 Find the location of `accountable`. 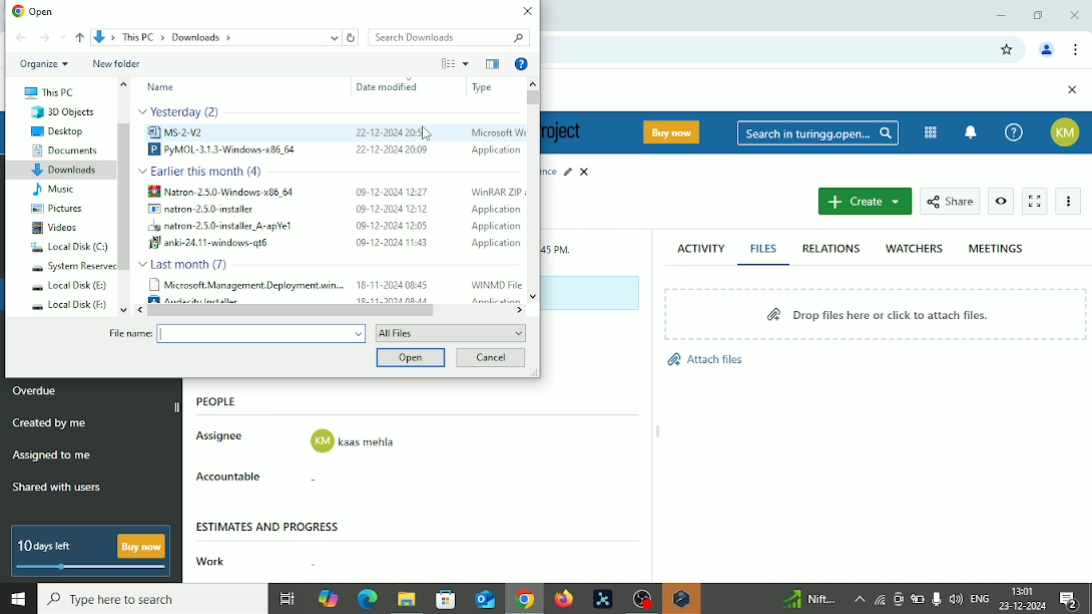

accountable is located at coordinates (354, 481).